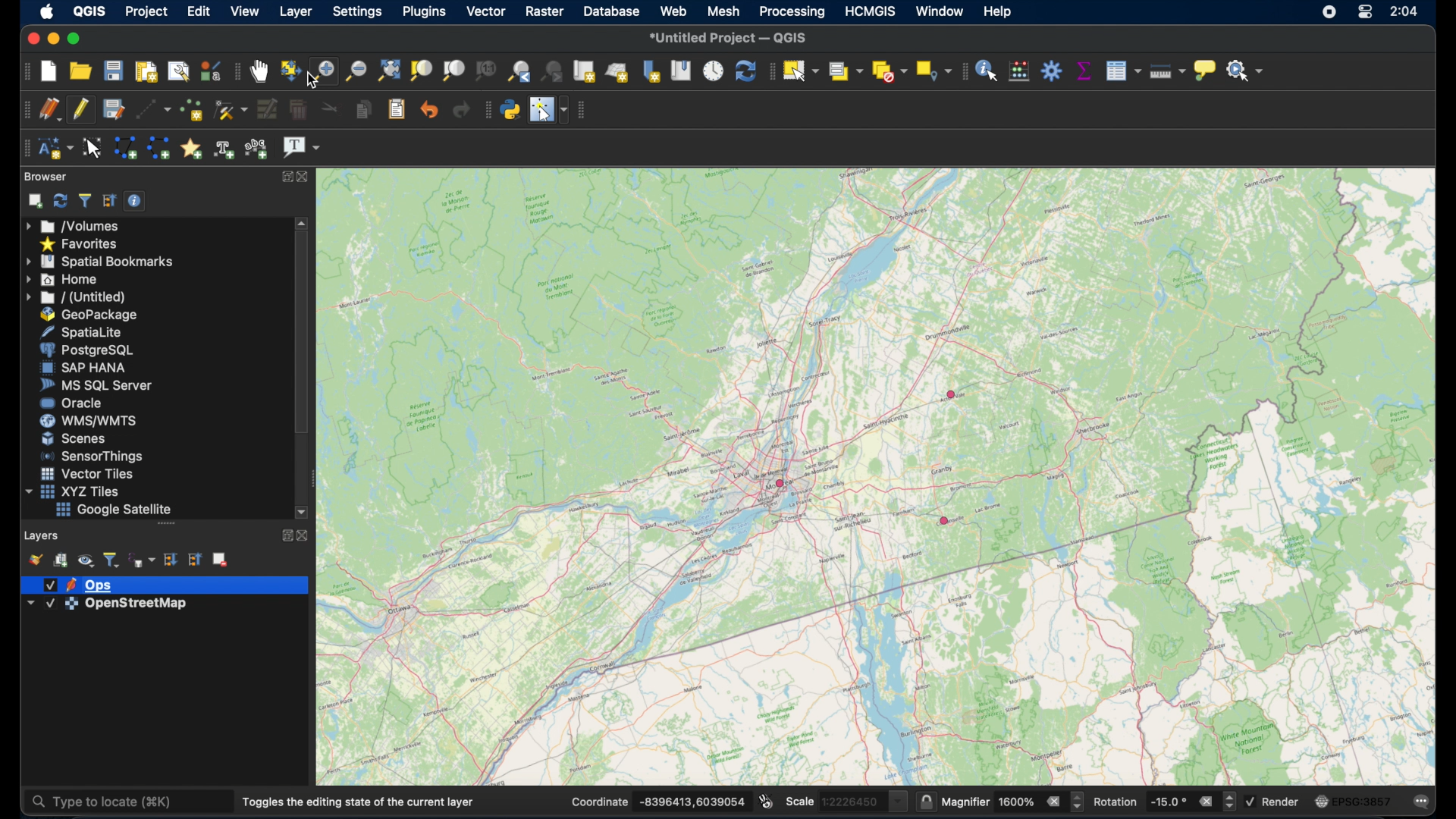 Image resolution: width=1456 pixels, height=819 pixels. I want to click on create text annotation at point, so click(224, 149).